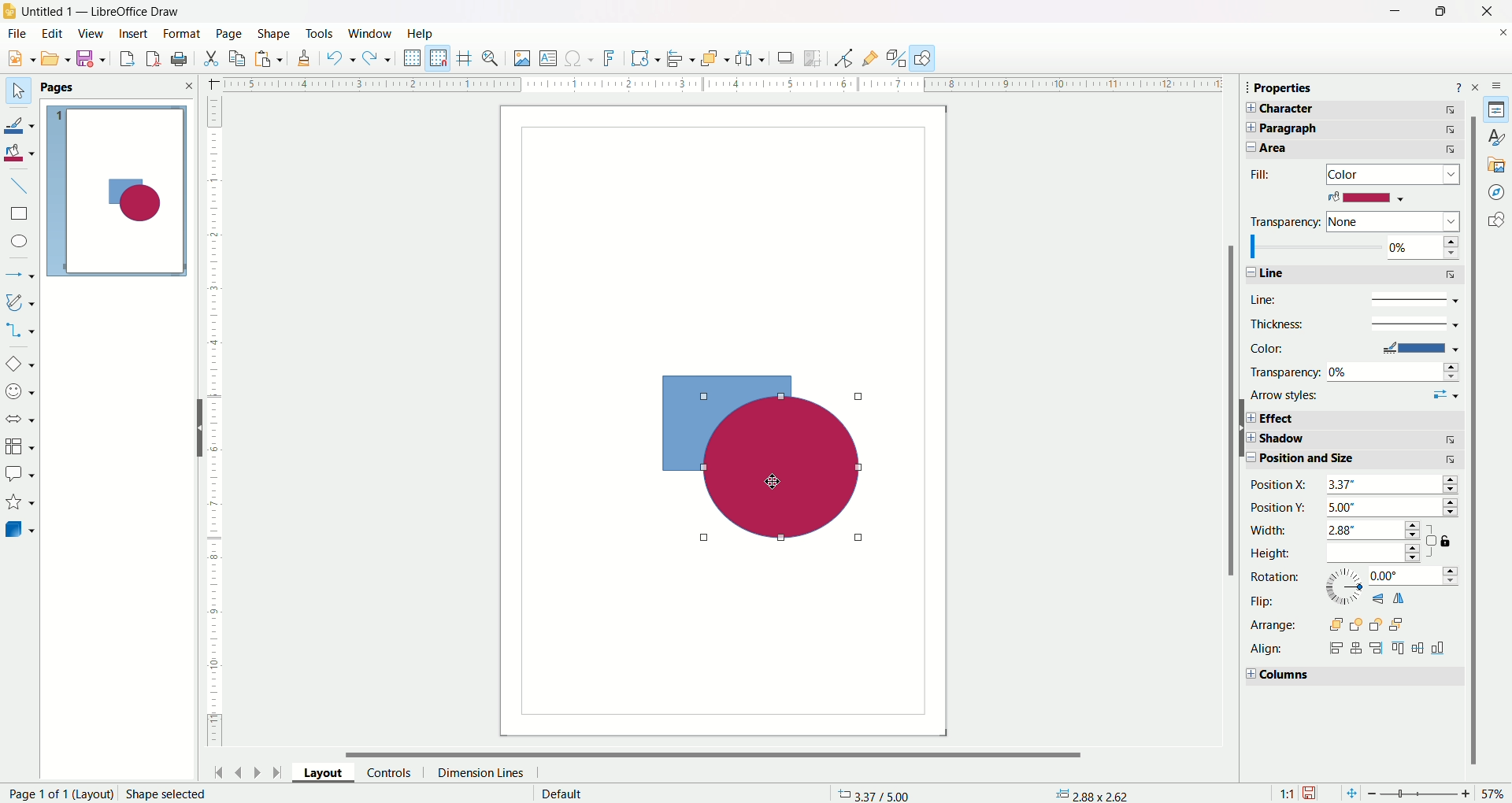 Image resolution: width=1512 pixels, height=803 pixels. I want to click on snap to grid, so click(441, 57).